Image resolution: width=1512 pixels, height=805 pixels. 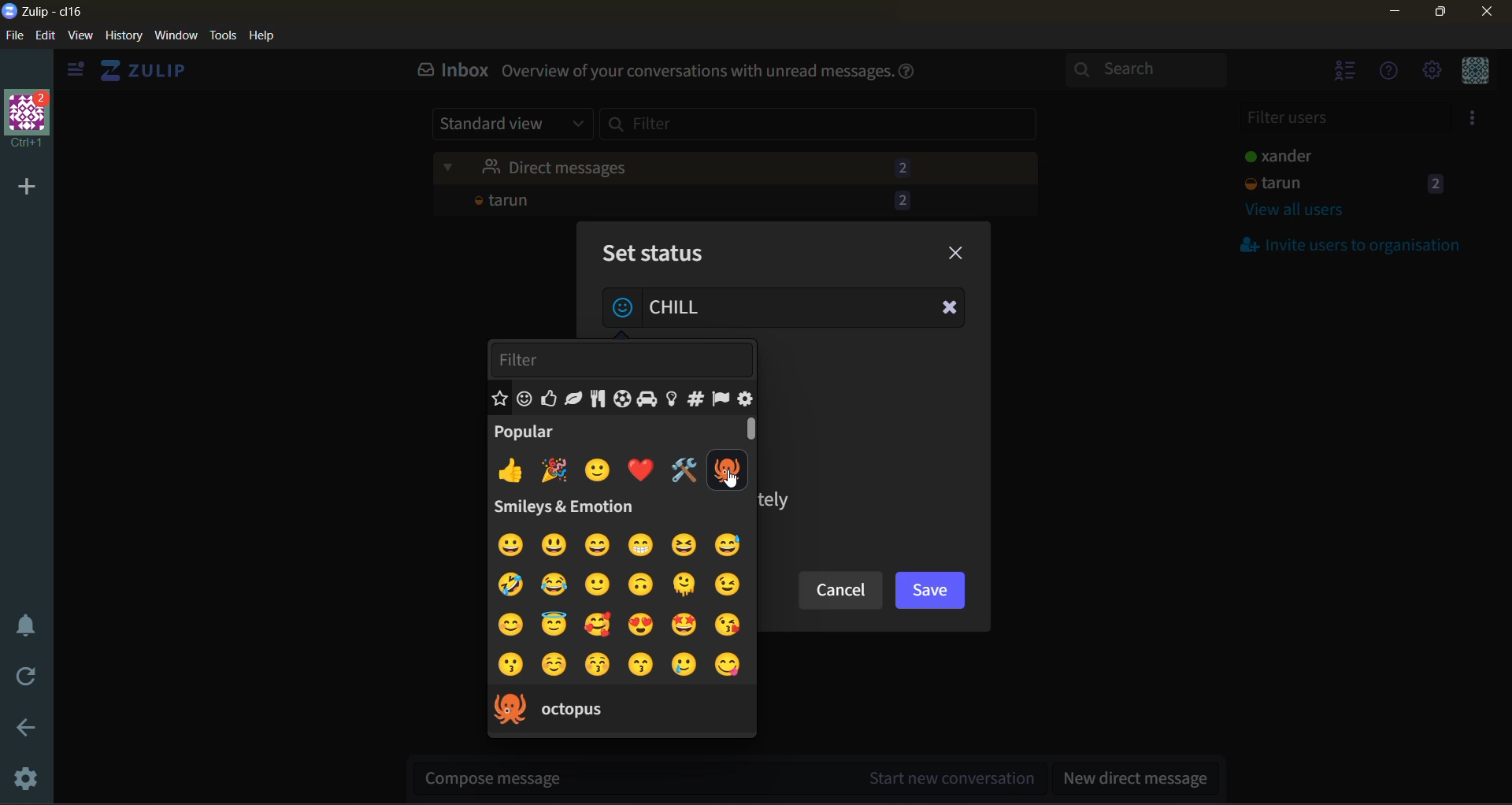 I want to click on emoji, so click(x=496, y=398).